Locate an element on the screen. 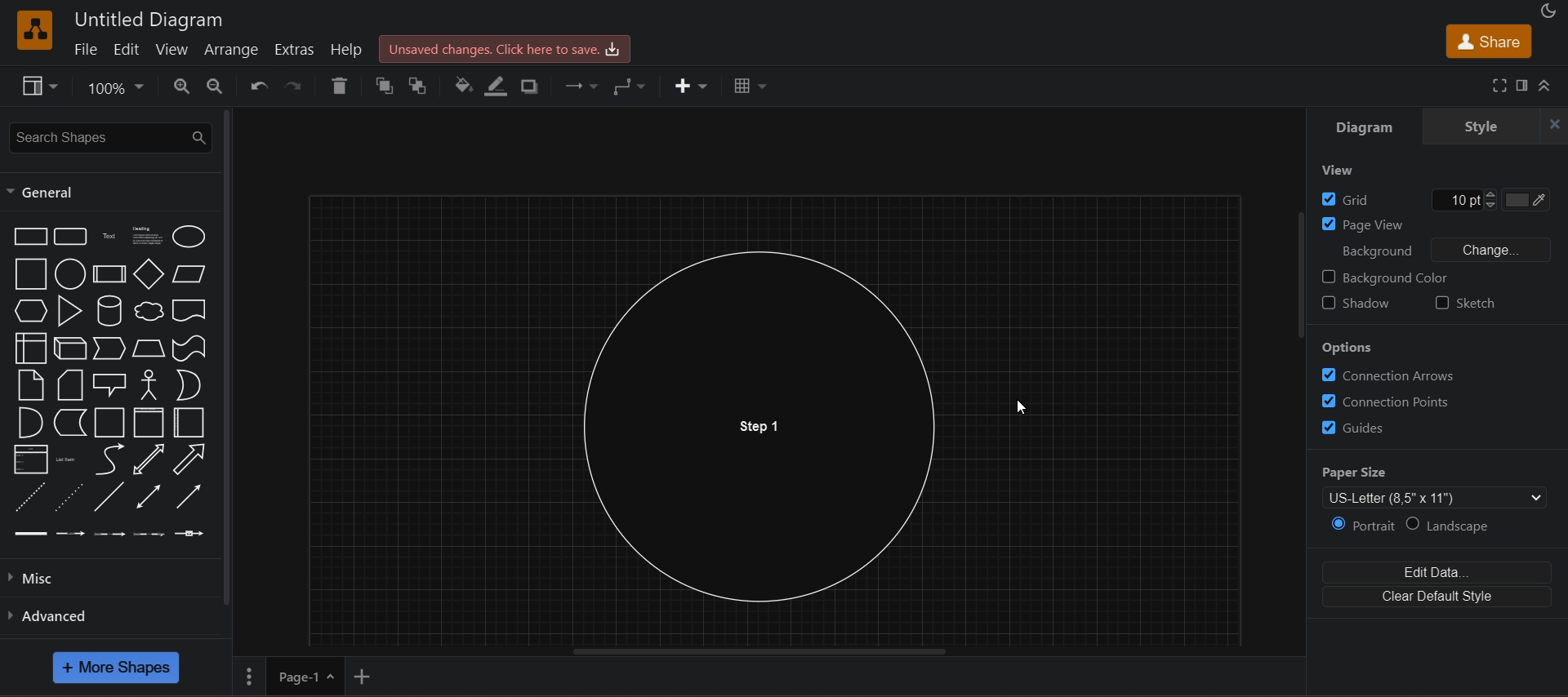 The height and width of the screenshot is (697, 1568). or is located at coordinates (194, 384).